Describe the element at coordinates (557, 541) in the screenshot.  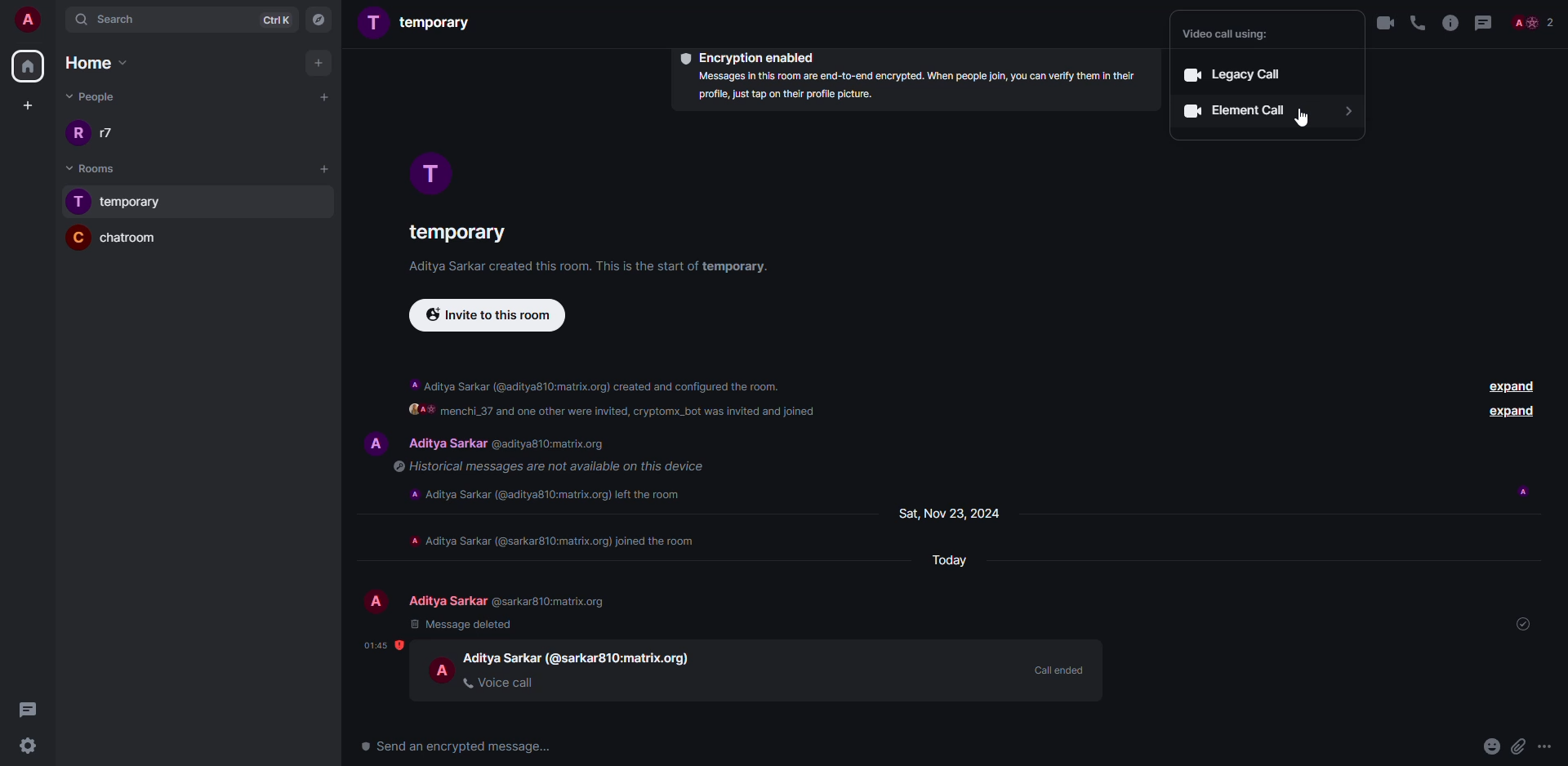
I see `info` at that location.